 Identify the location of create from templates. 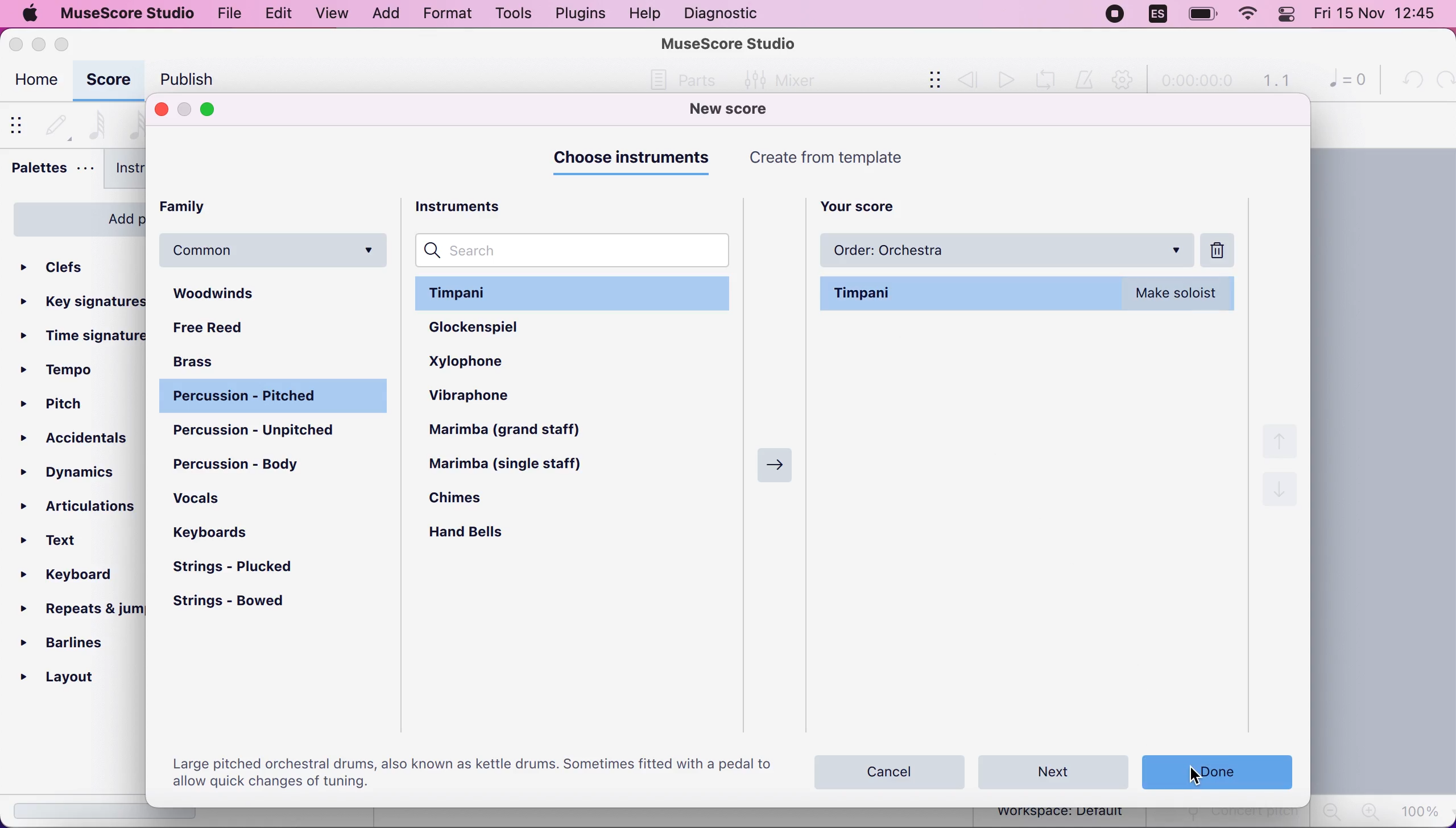
(852, 158).